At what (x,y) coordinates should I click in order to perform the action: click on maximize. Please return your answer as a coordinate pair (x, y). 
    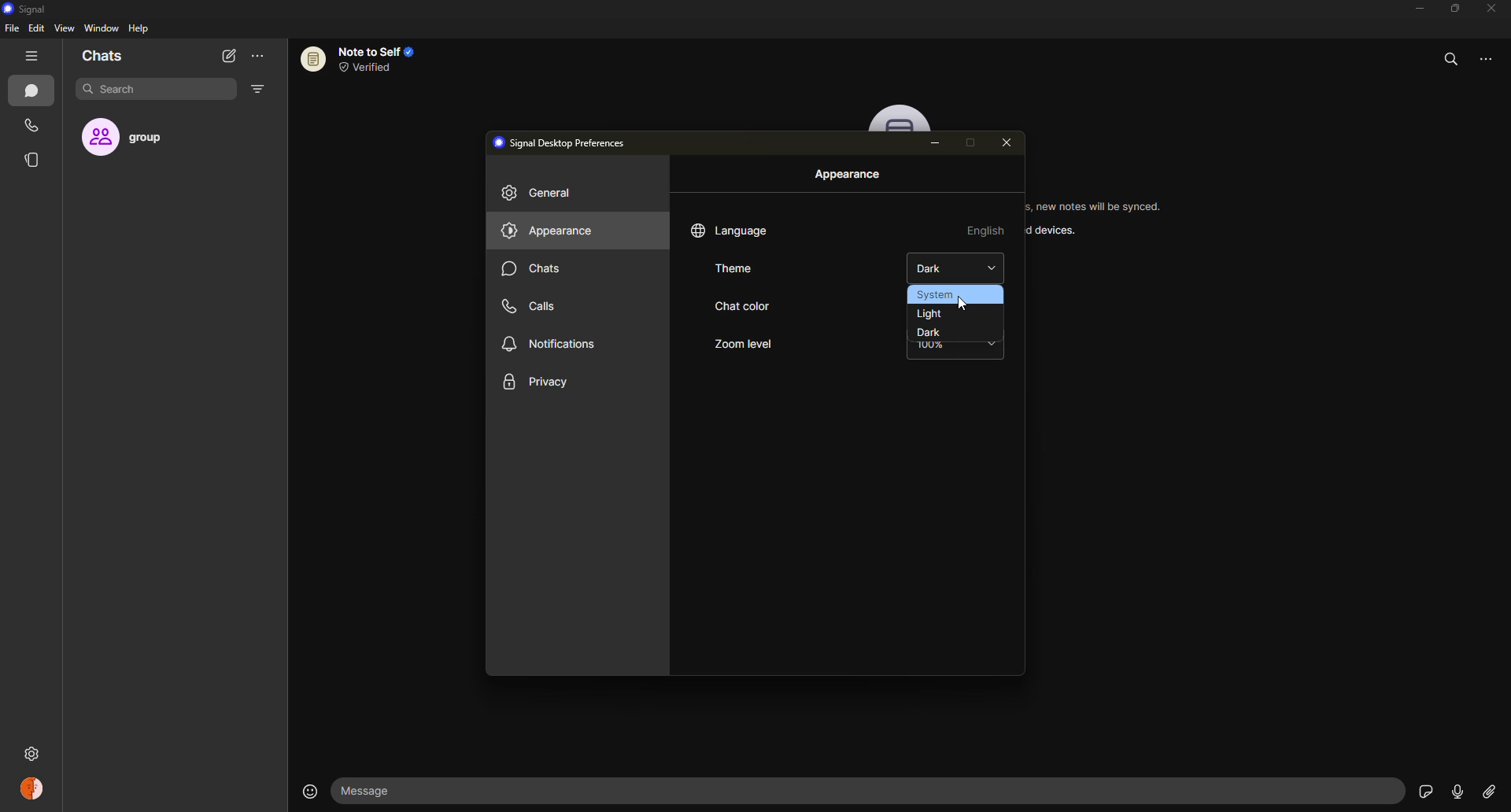
    Looking at the image, I should click on (968, 143).